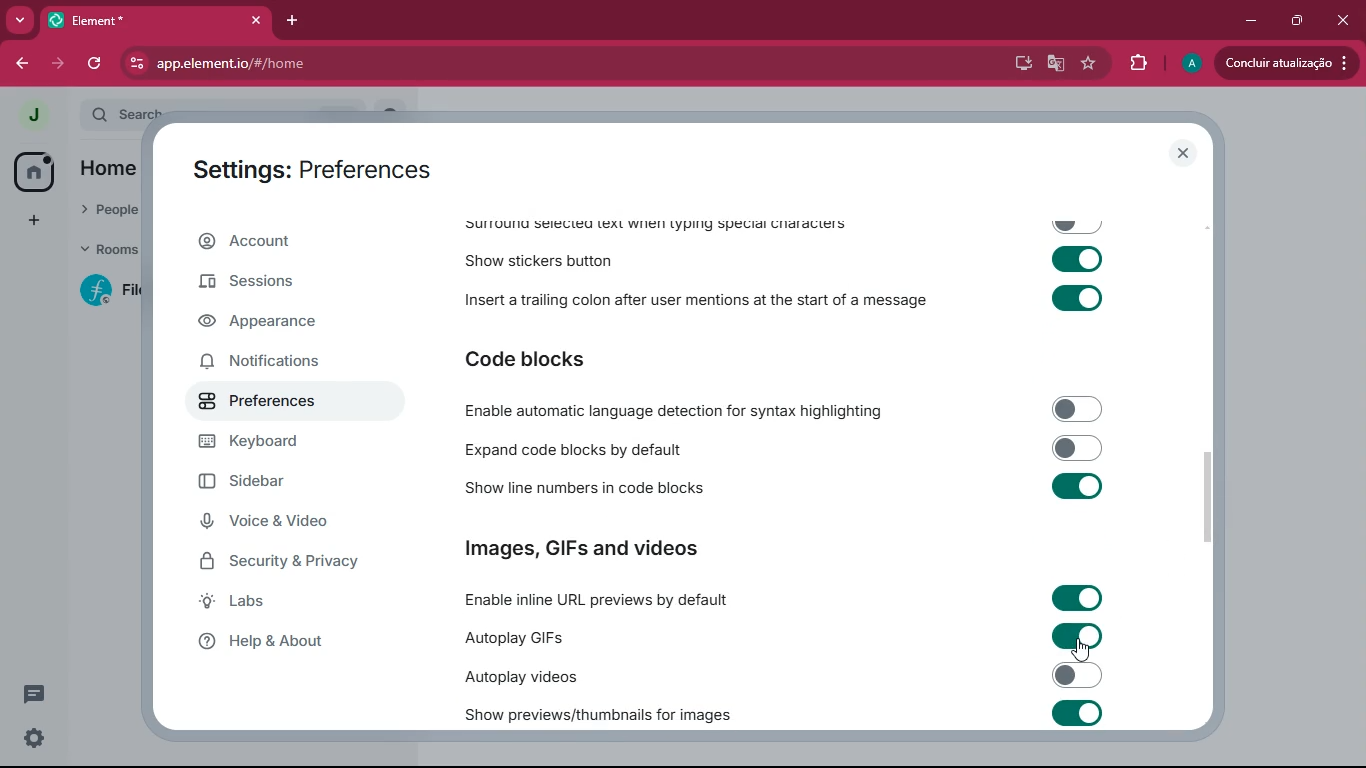  Describe the element at coordinates (780, 637) in the screenshot. I see `Autoplay GIFs` at that location.